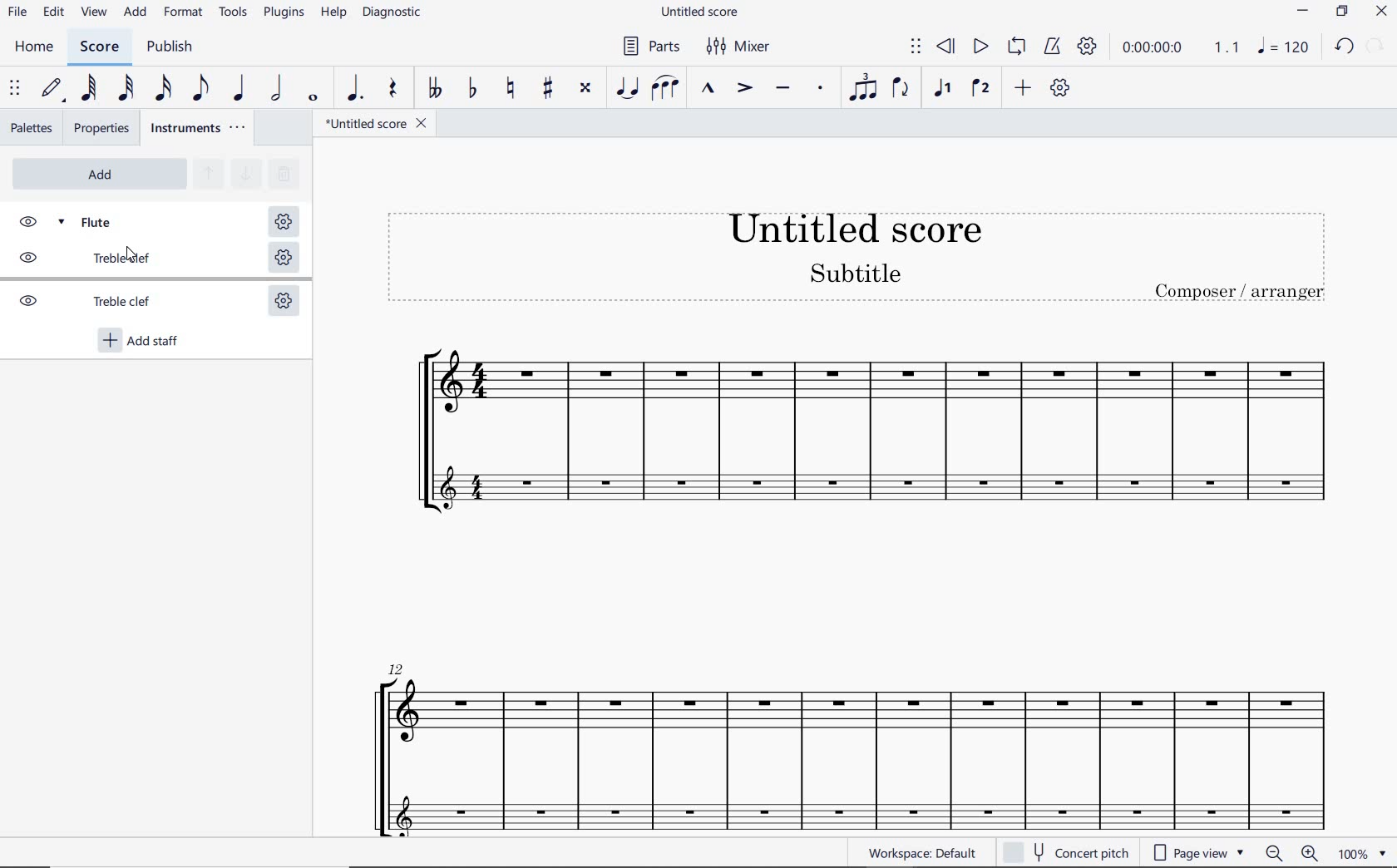  I want to click on 16TH NOTE, so click(164, 89).